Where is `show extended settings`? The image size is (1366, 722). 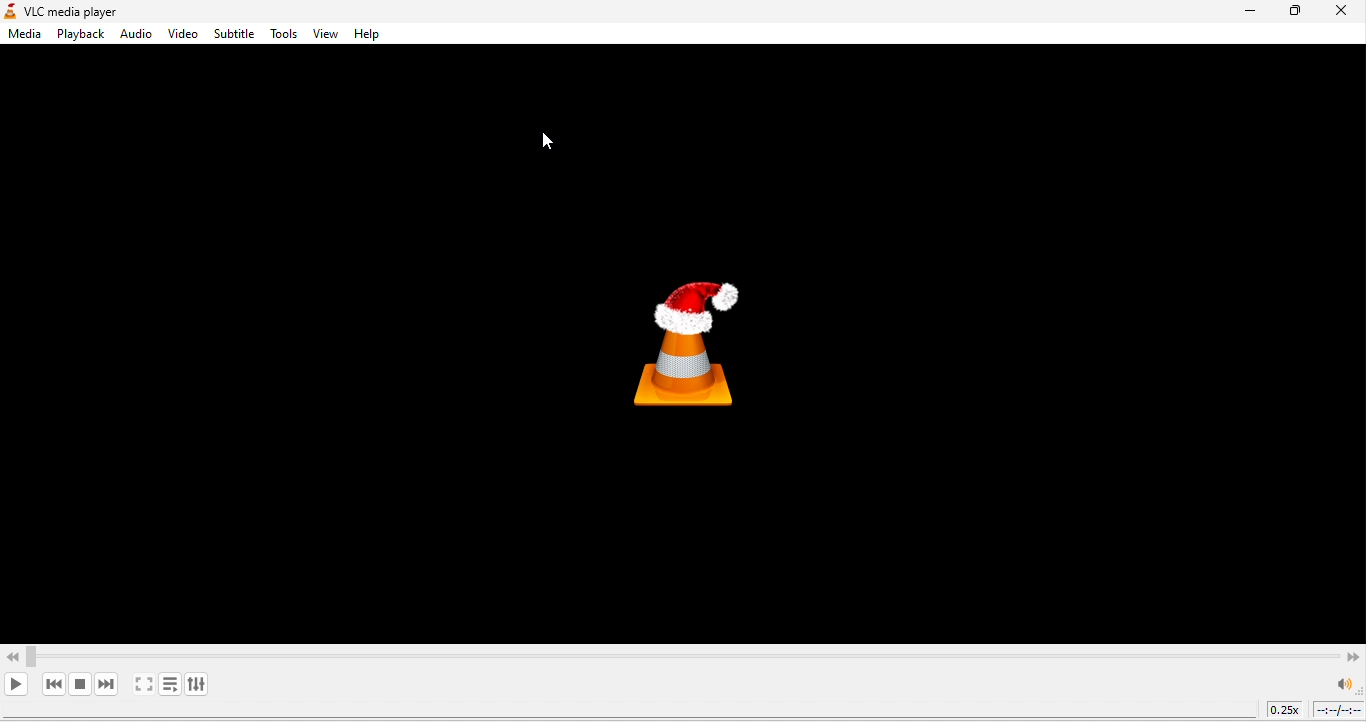
show extended settings is located at coordinates (203, 684).